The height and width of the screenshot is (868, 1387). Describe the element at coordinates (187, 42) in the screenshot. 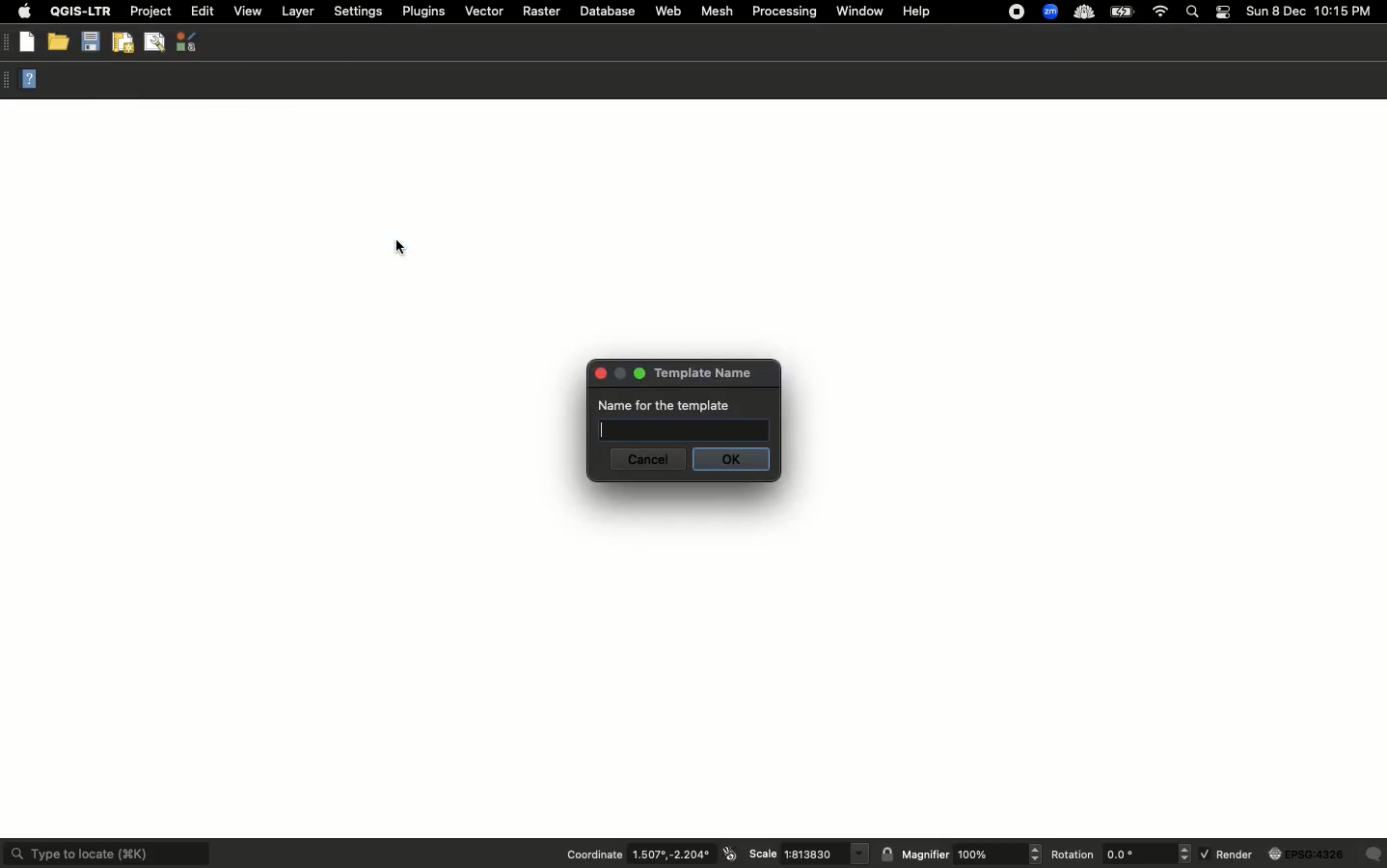

I see `Style manager ` at that location.